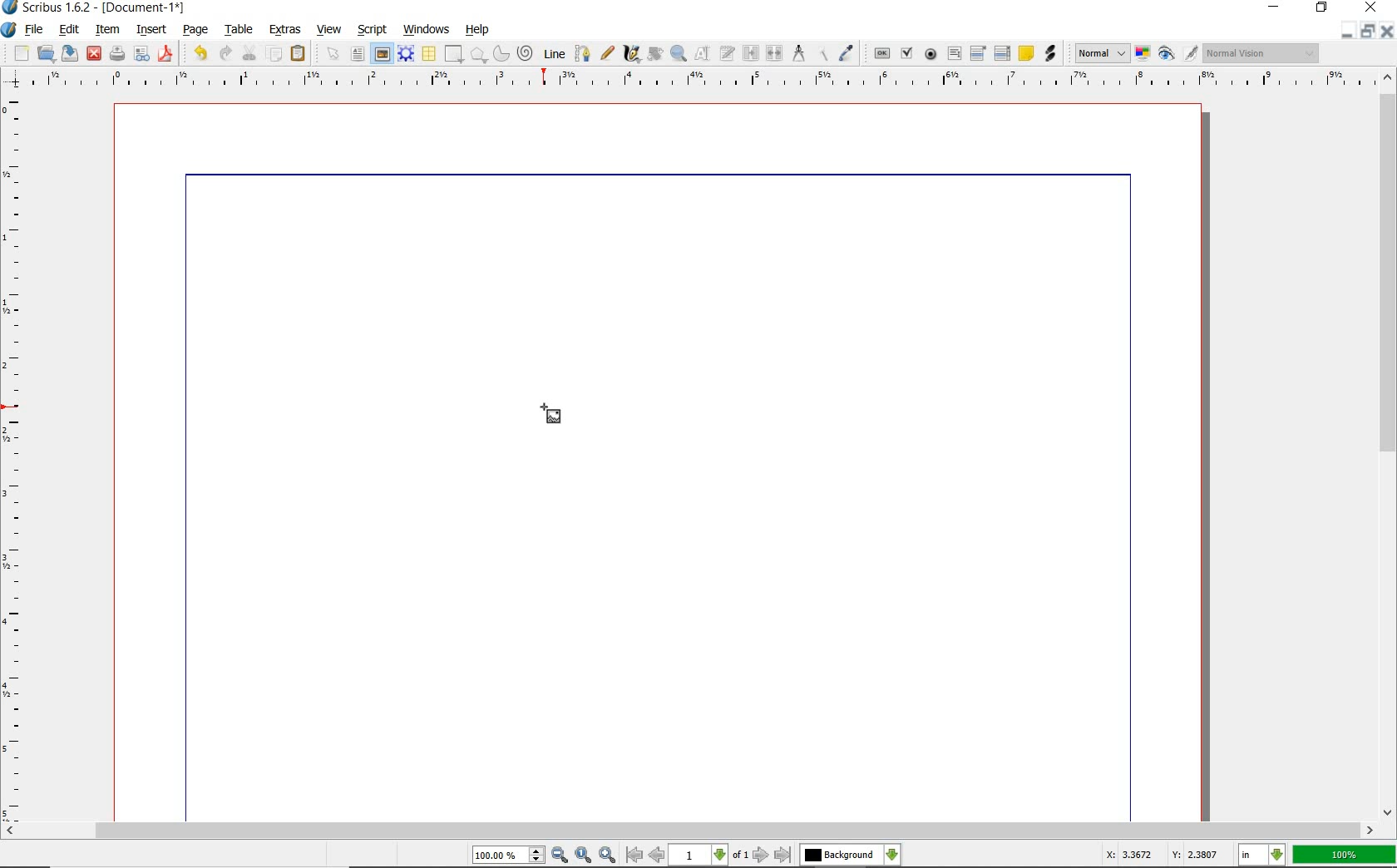 The height and width of the screenshot is (868, 1397). Describe the element at coordinates (753, 52) in the screenshot. I see `link text frames` at that location.